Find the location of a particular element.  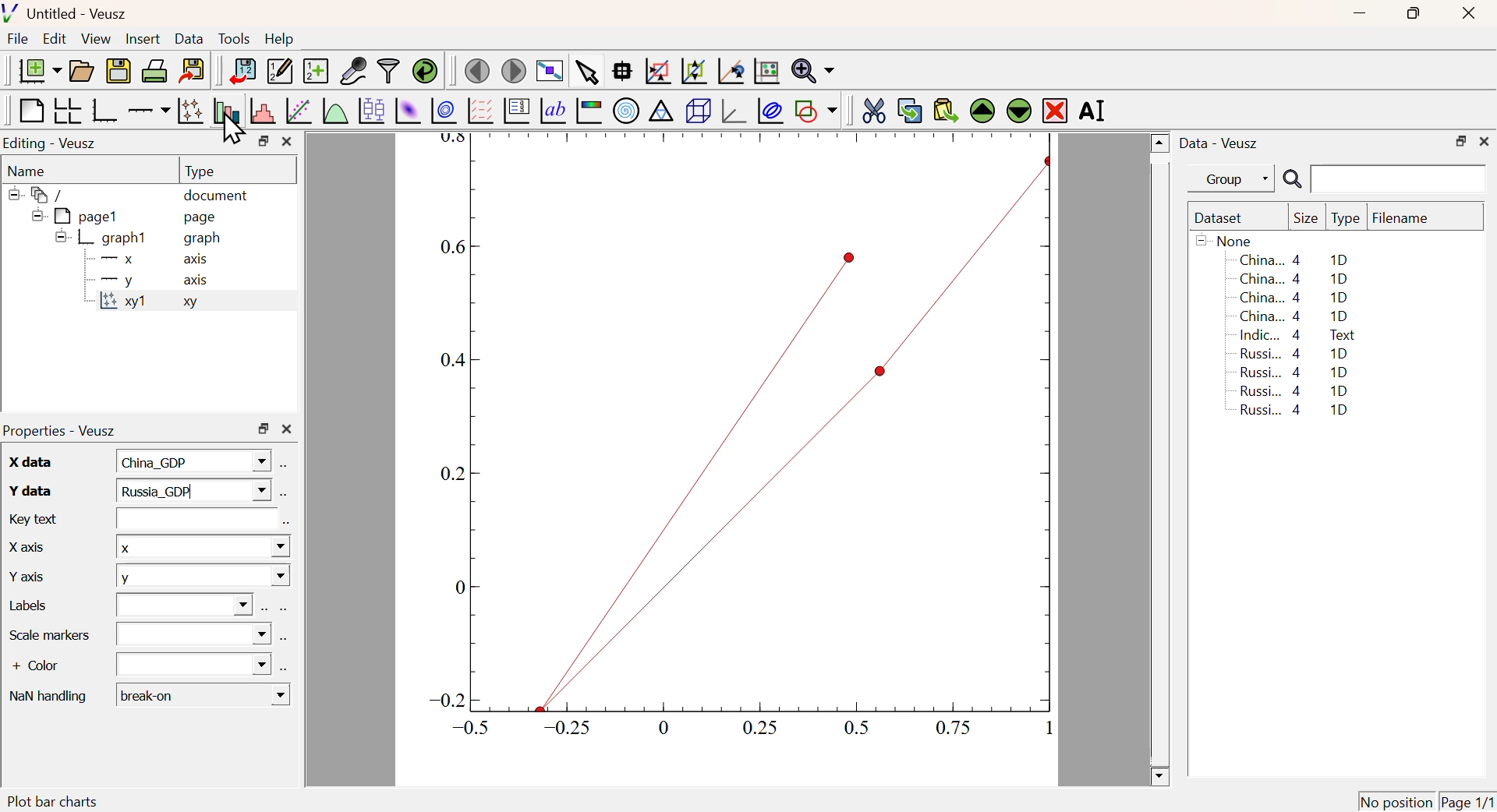

Group is located at coordinates (1236, 180).